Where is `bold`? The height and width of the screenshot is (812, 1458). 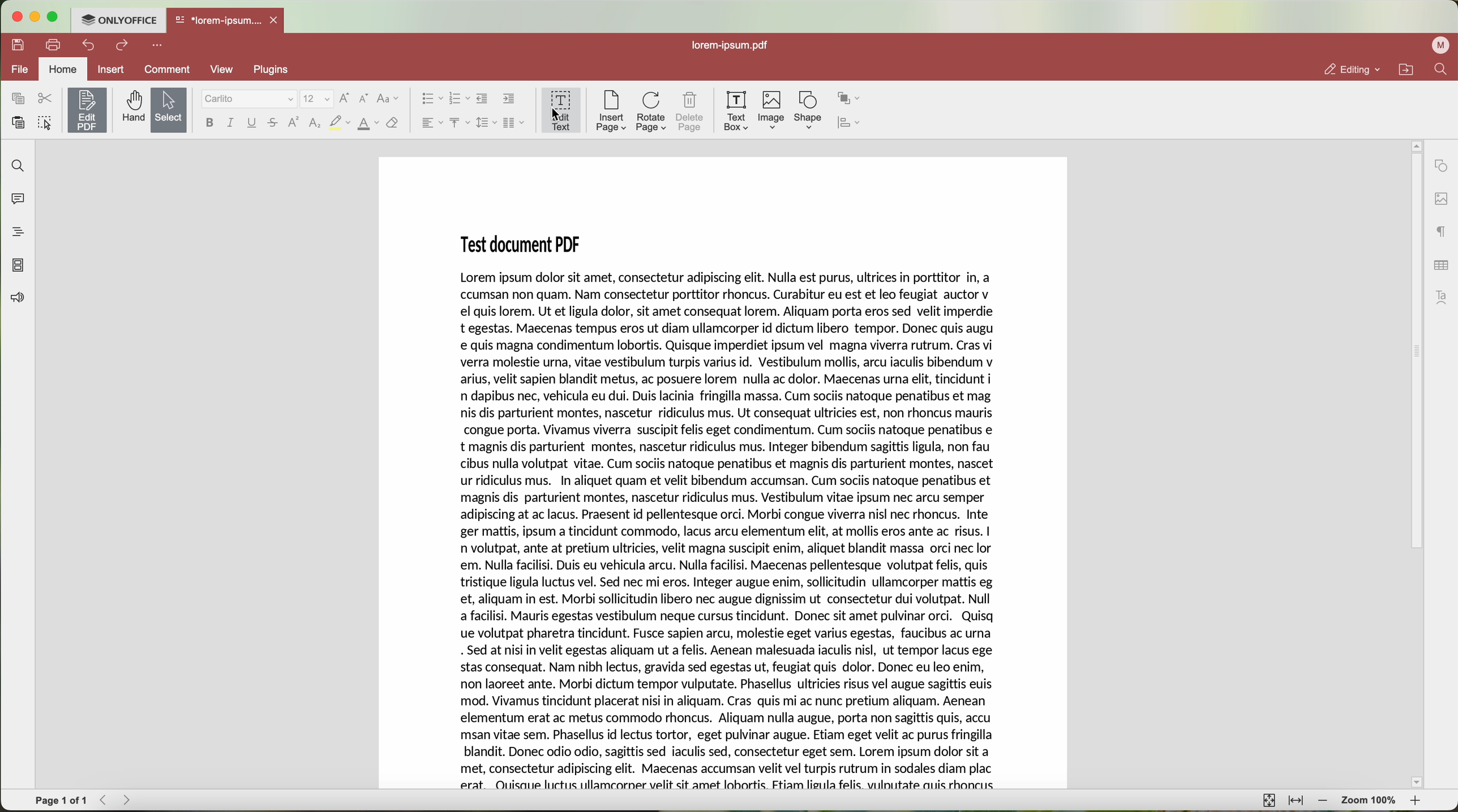
bold is located at coordinates (211, 123).